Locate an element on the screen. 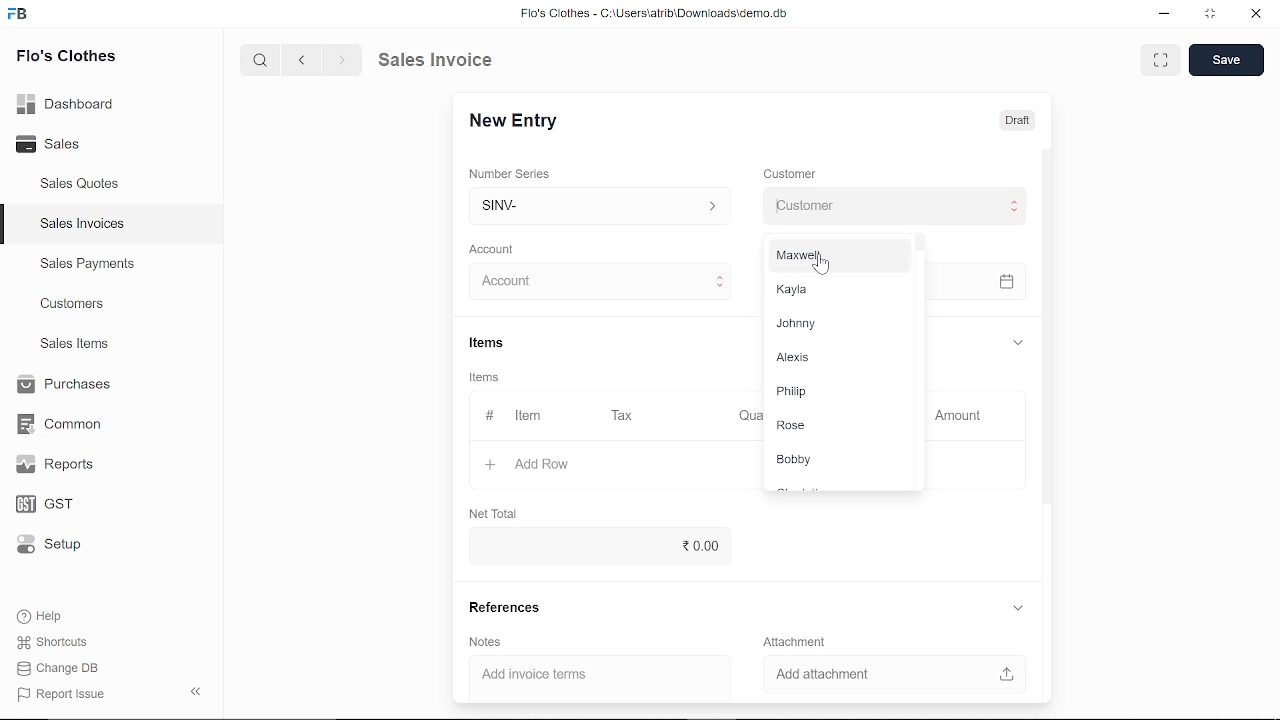 This screenshot has width=1280, height=720. Reports is located at coordinates (60, 465).